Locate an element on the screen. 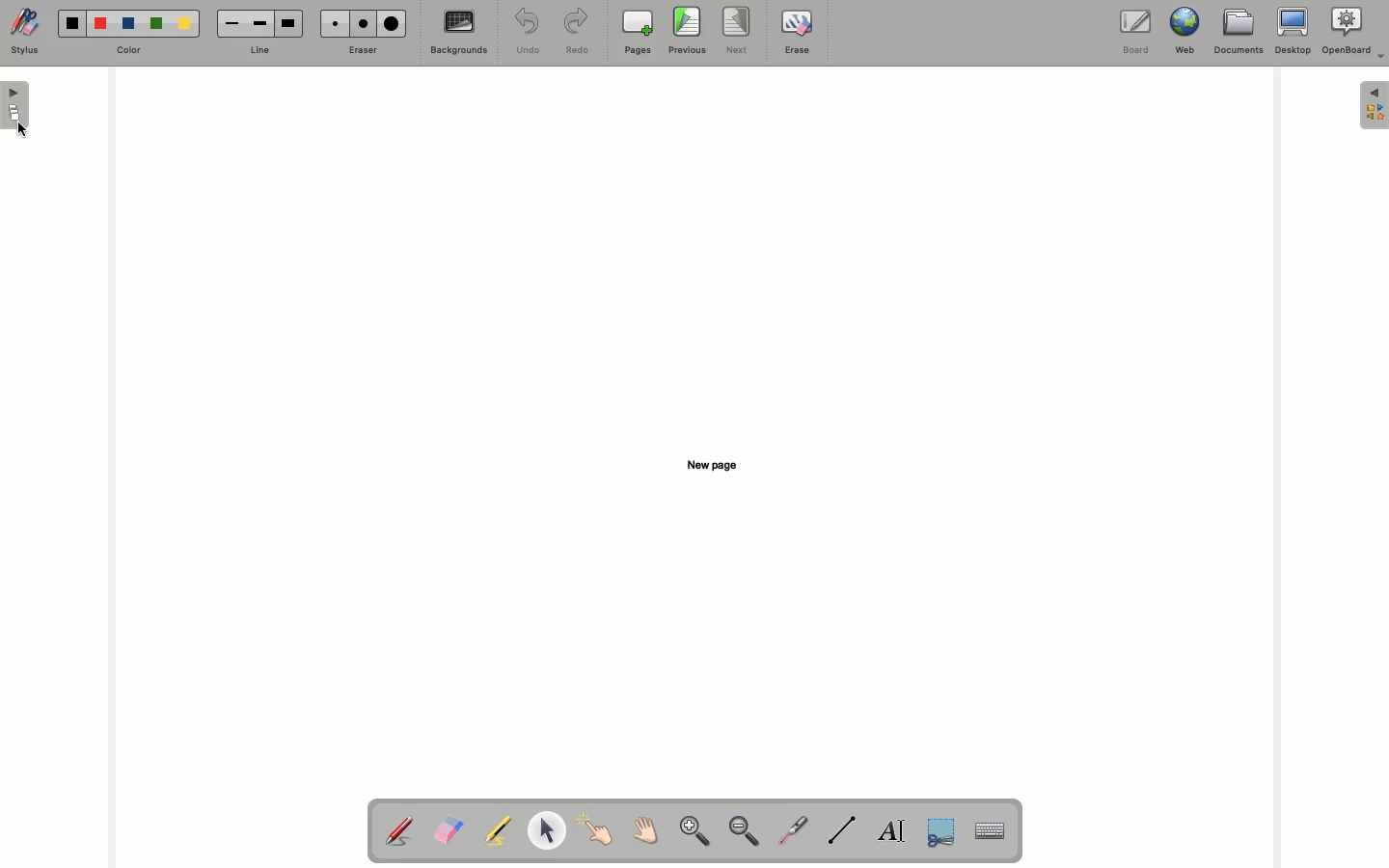  Color 4 is located at coordinates (156, 23).